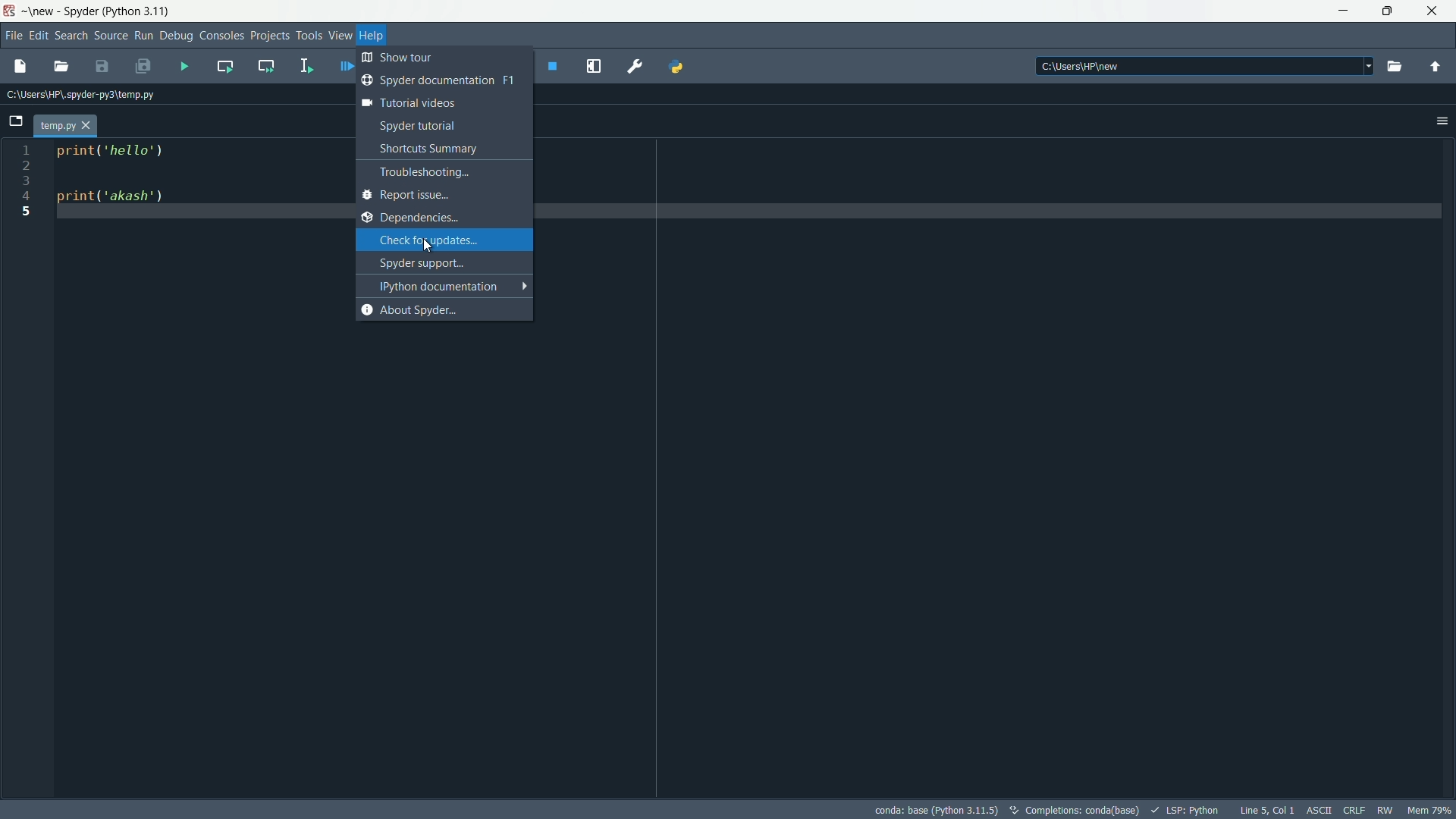 Image resolution: width=1456 pixels, height=819 pixels. I want to click on tools menu, so click(309, 35).